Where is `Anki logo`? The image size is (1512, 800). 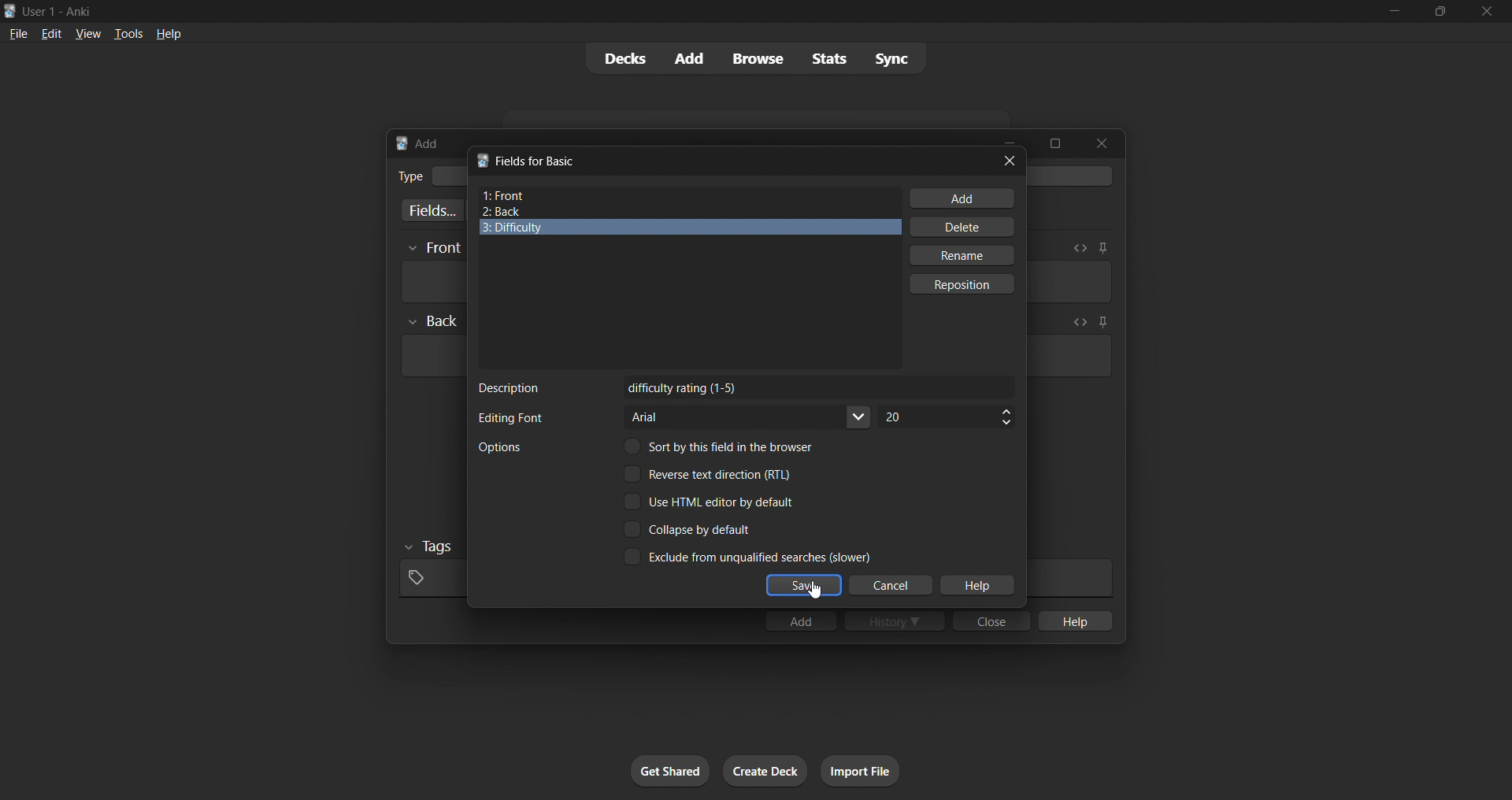
Anki logo is located at coordinates (482, 160).